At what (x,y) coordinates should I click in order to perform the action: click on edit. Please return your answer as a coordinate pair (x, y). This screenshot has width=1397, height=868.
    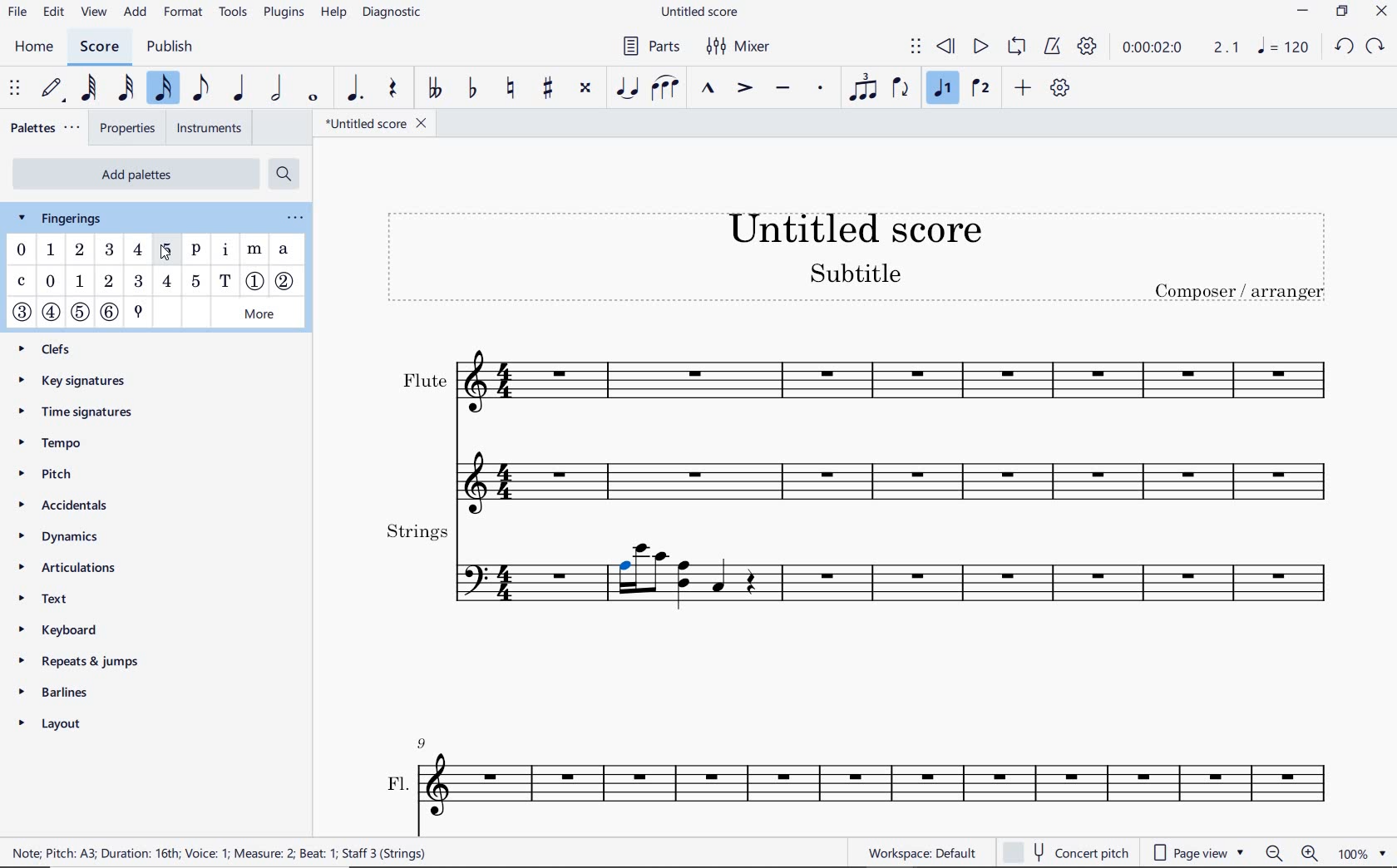
    Looking at the image, I should click on (53, 10).